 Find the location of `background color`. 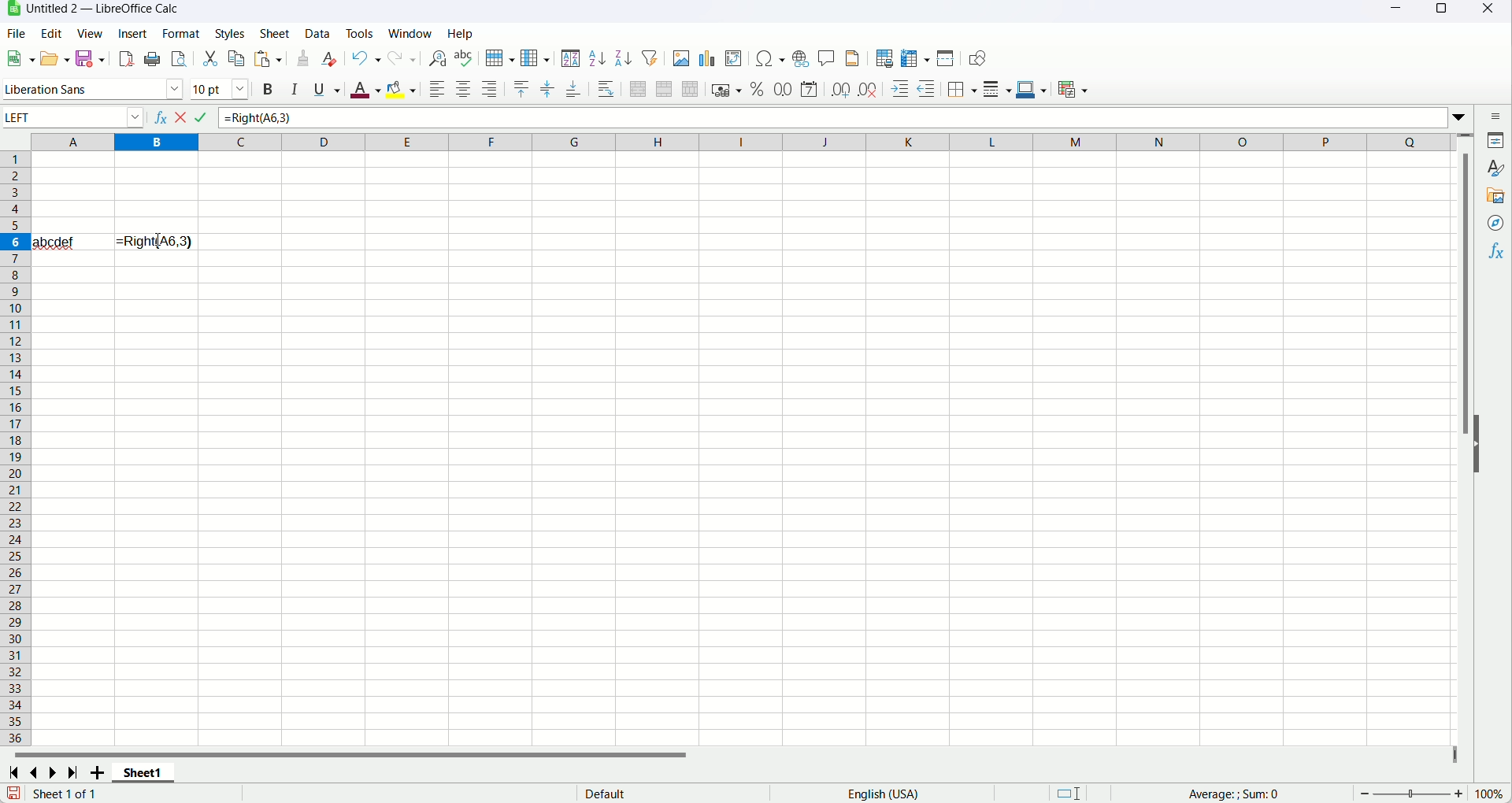

background color is located at coordinates (401, 89).